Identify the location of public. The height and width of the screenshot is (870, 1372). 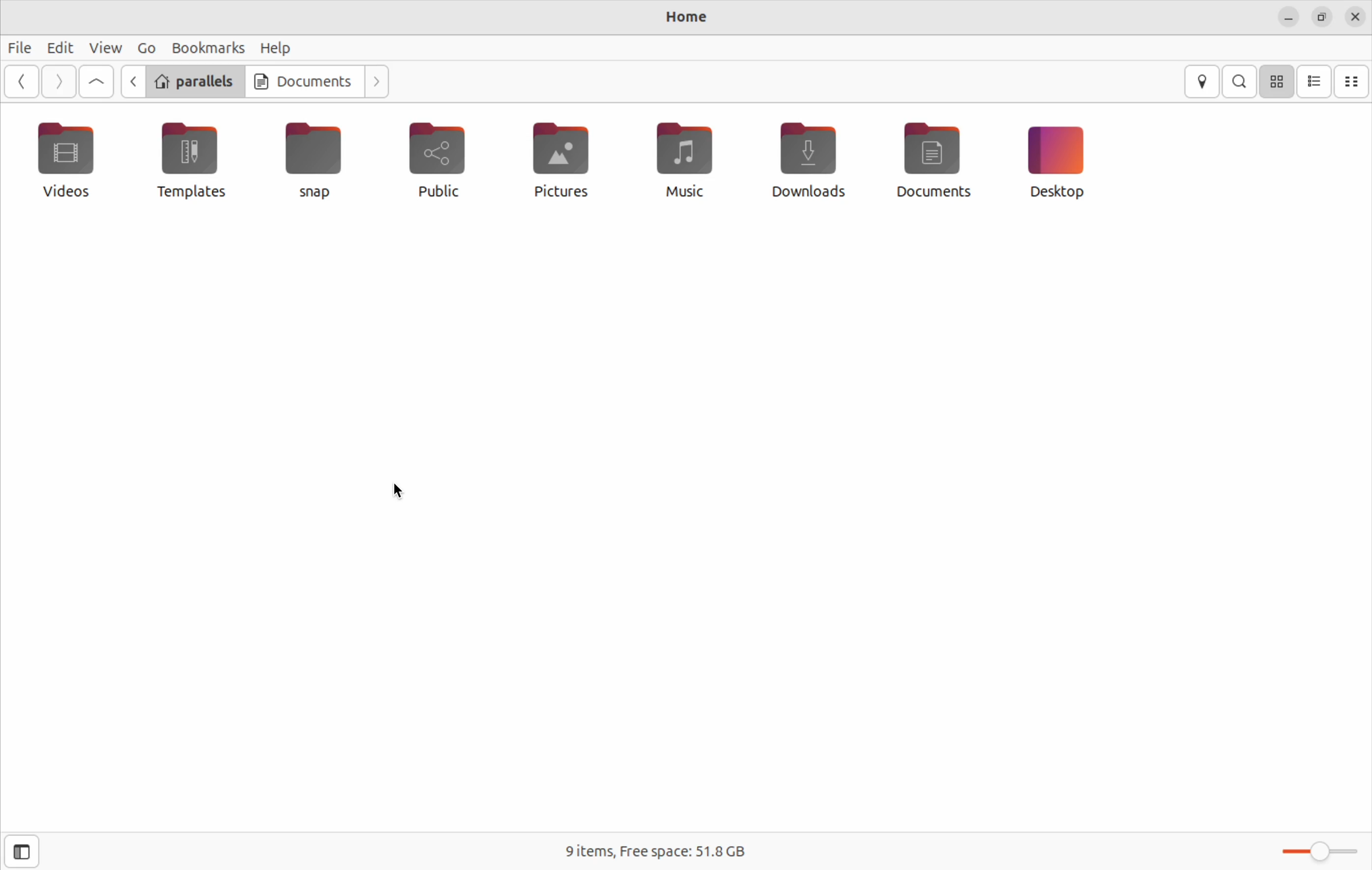
(446, 163).